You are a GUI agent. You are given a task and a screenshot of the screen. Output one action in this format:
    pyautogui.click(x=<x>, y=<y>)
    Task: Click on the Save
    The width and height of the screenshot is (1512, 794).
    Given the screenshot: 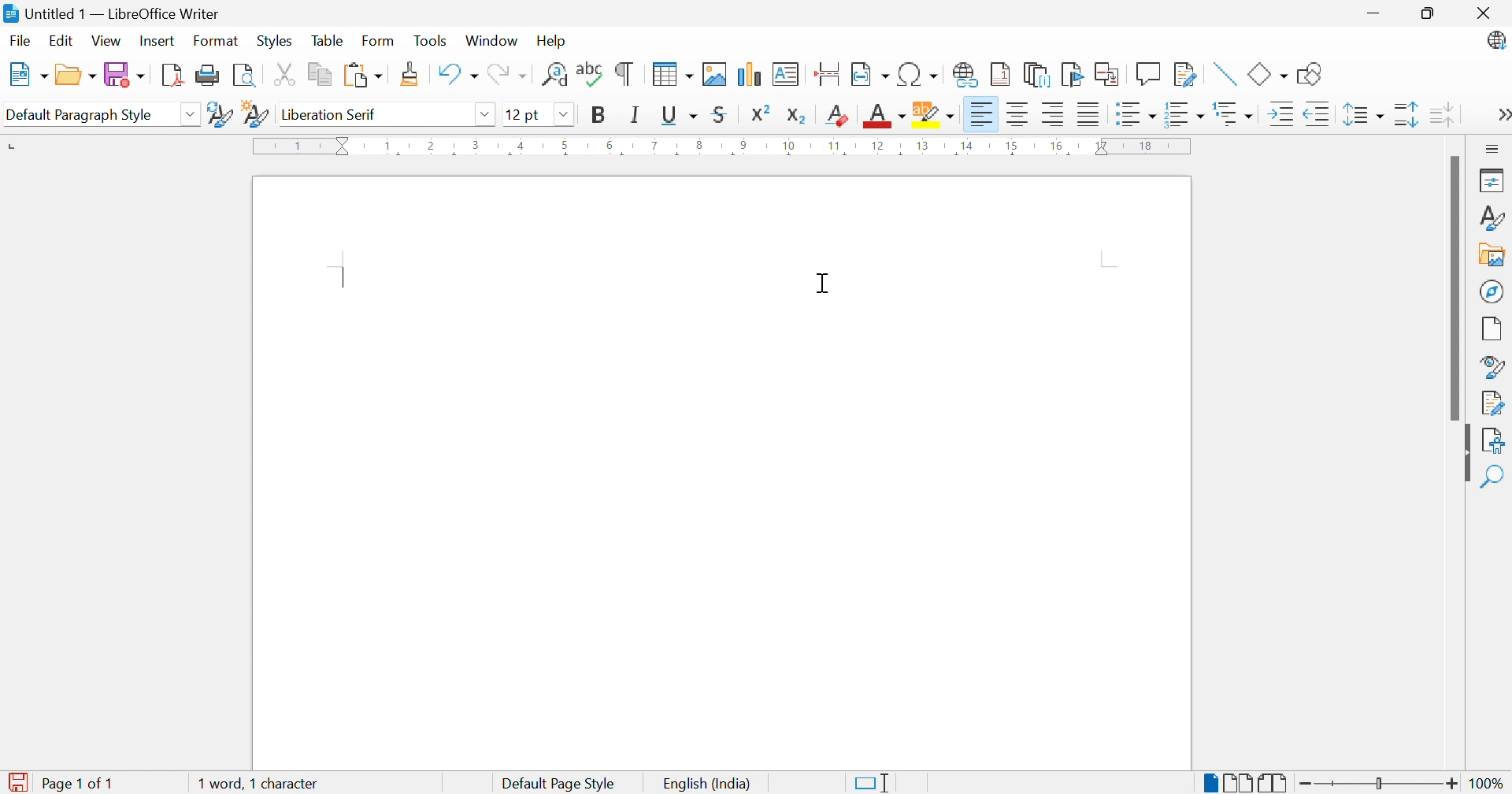 What is the action you would take?
    pyautogui.click(x=125, y=74)
    